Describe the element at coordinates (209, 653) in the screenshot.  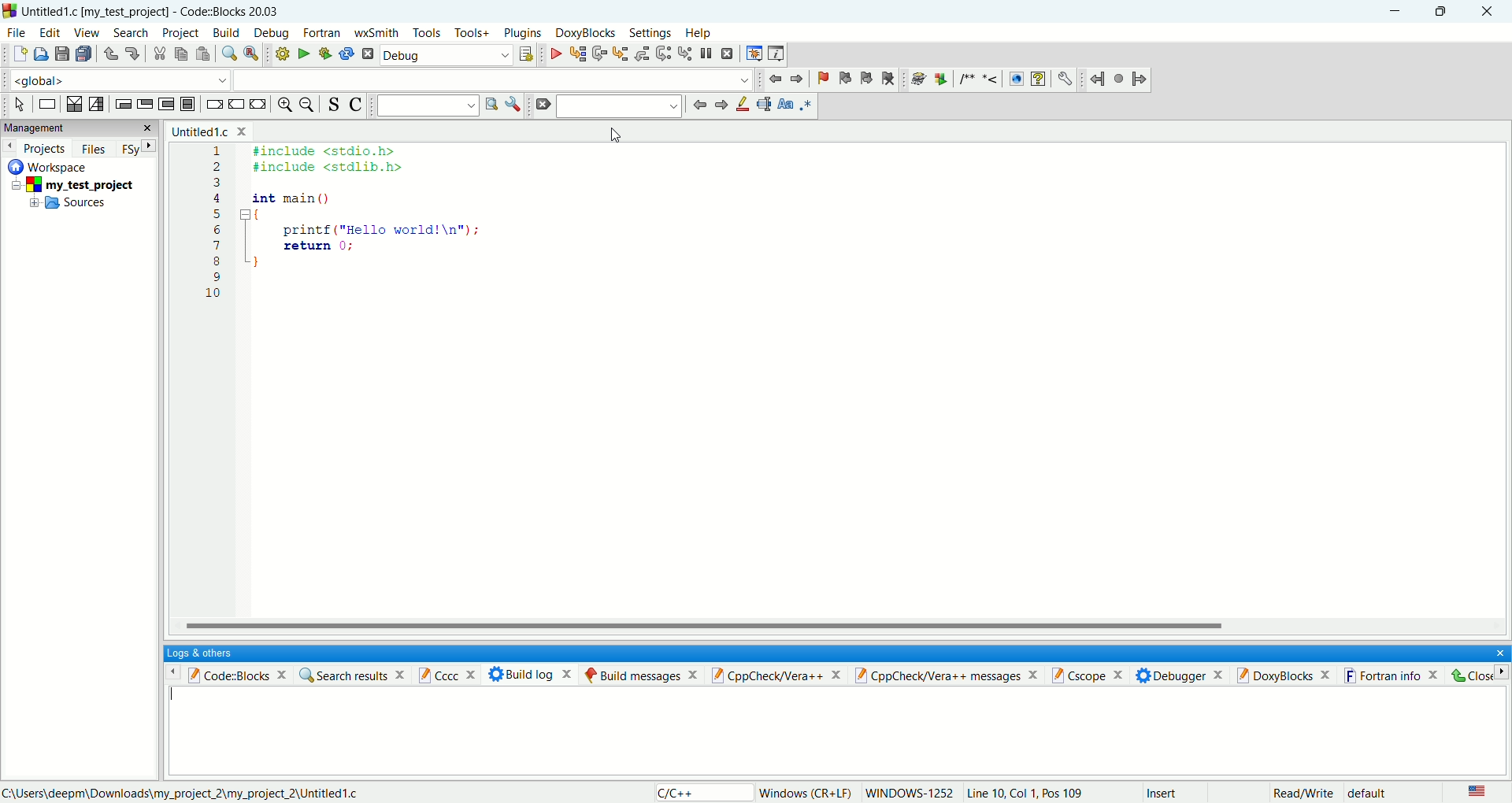
I see `logs and others` at that location.